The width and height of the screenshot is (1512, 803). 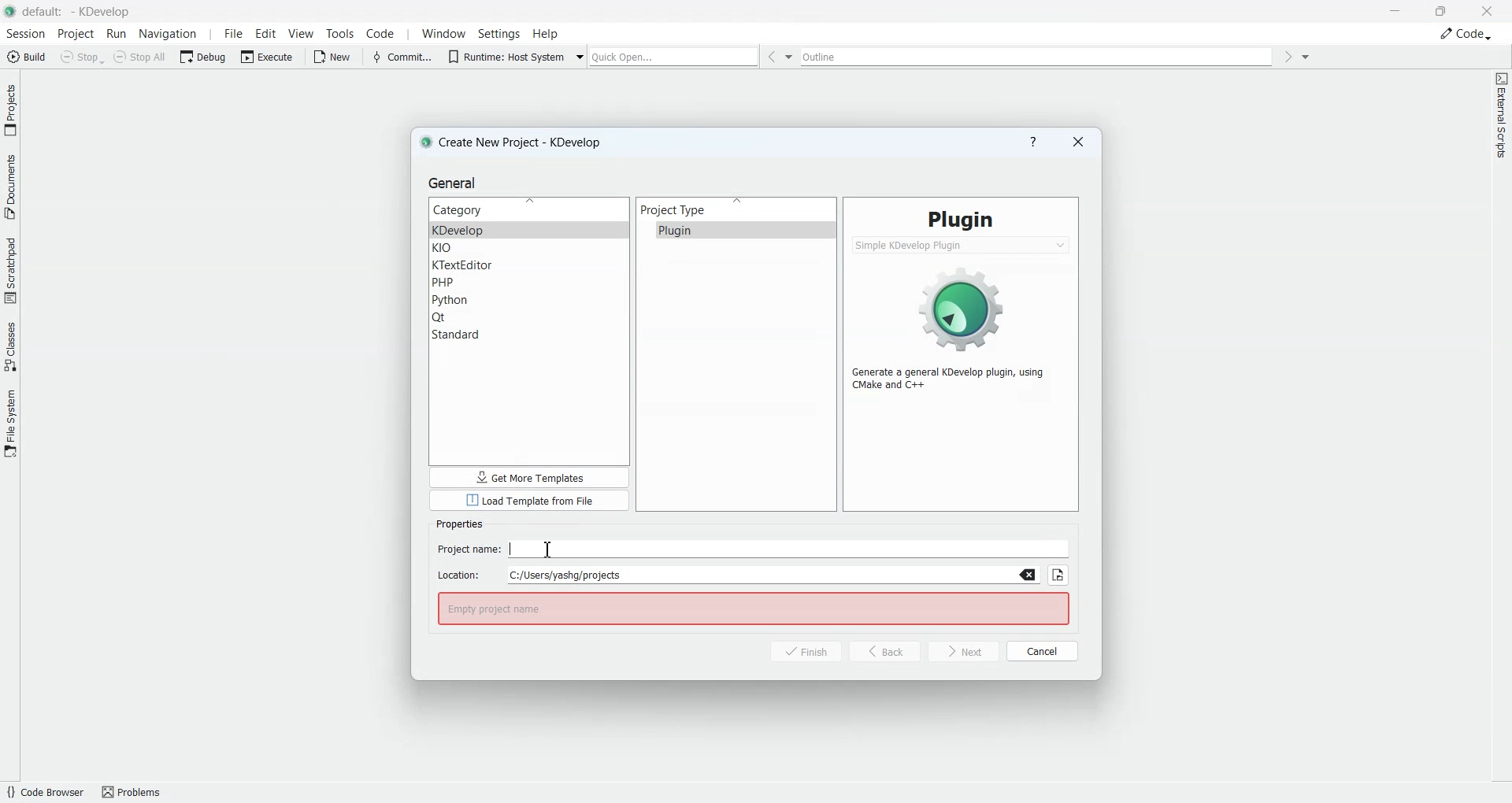 I want to click on Tools, so click(x=339, y=34).